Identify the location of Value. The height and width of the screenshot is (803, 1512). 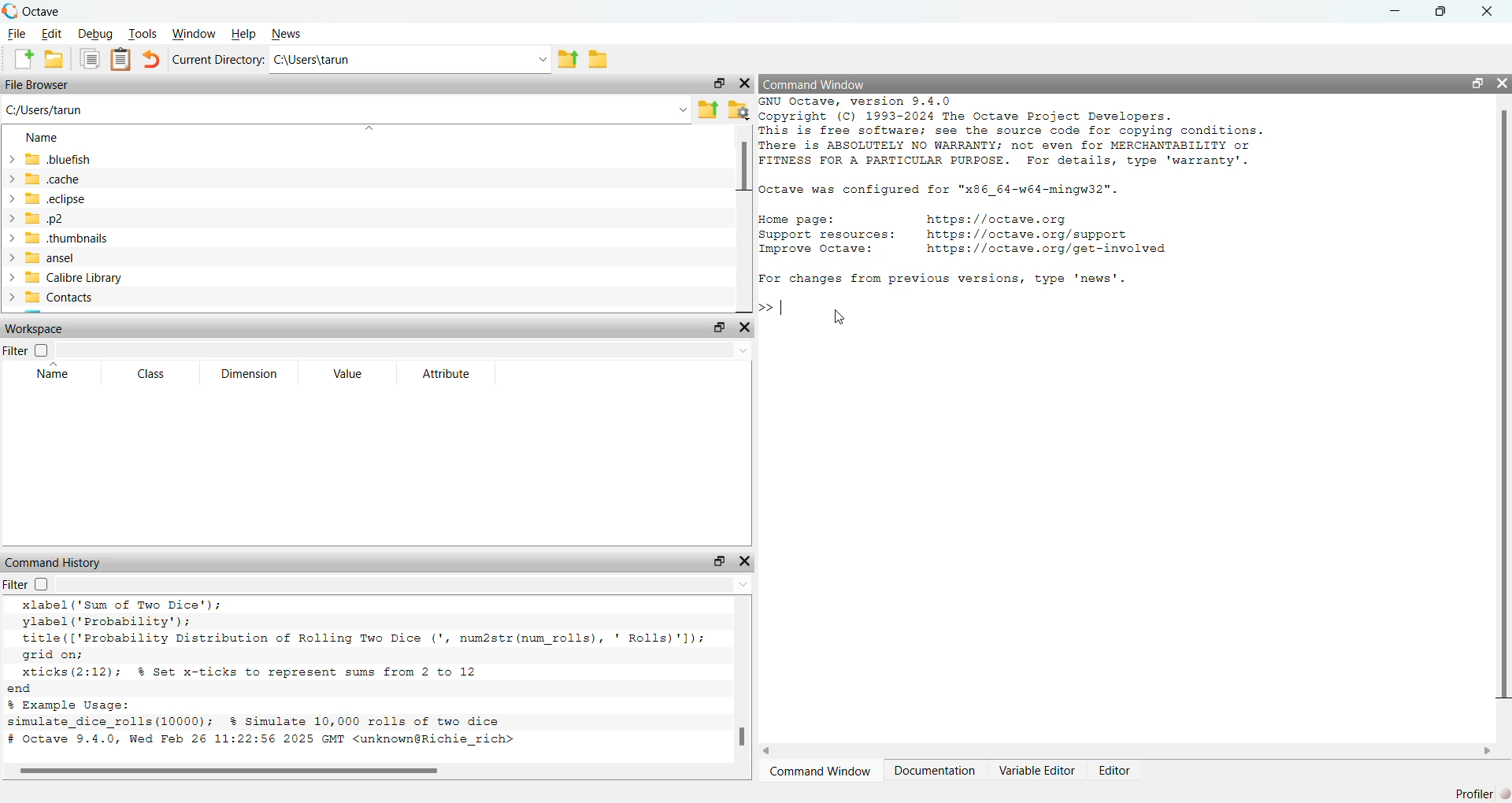
(348, 374).